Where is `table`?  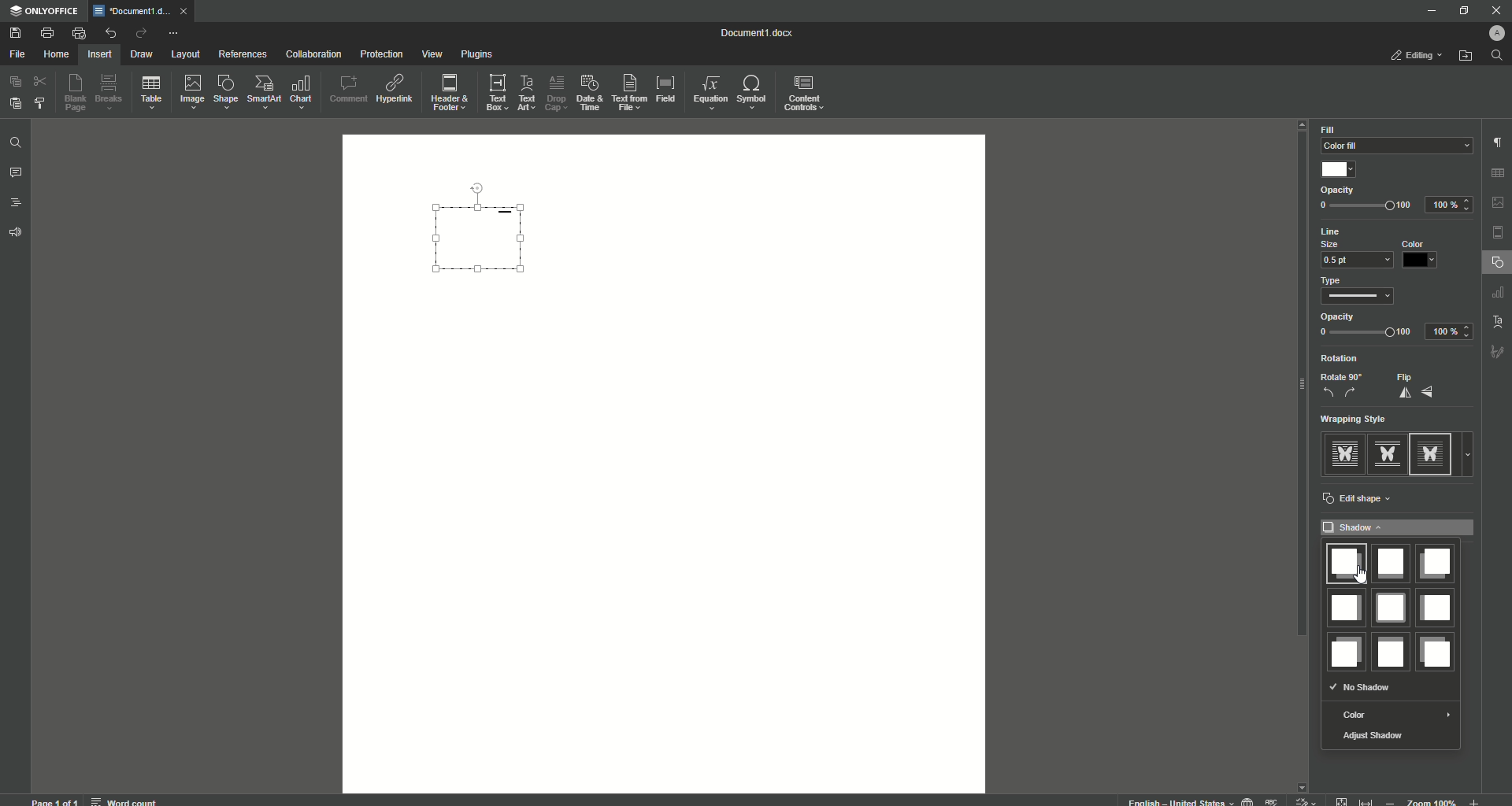 table is located at coordinates (1500, 171).